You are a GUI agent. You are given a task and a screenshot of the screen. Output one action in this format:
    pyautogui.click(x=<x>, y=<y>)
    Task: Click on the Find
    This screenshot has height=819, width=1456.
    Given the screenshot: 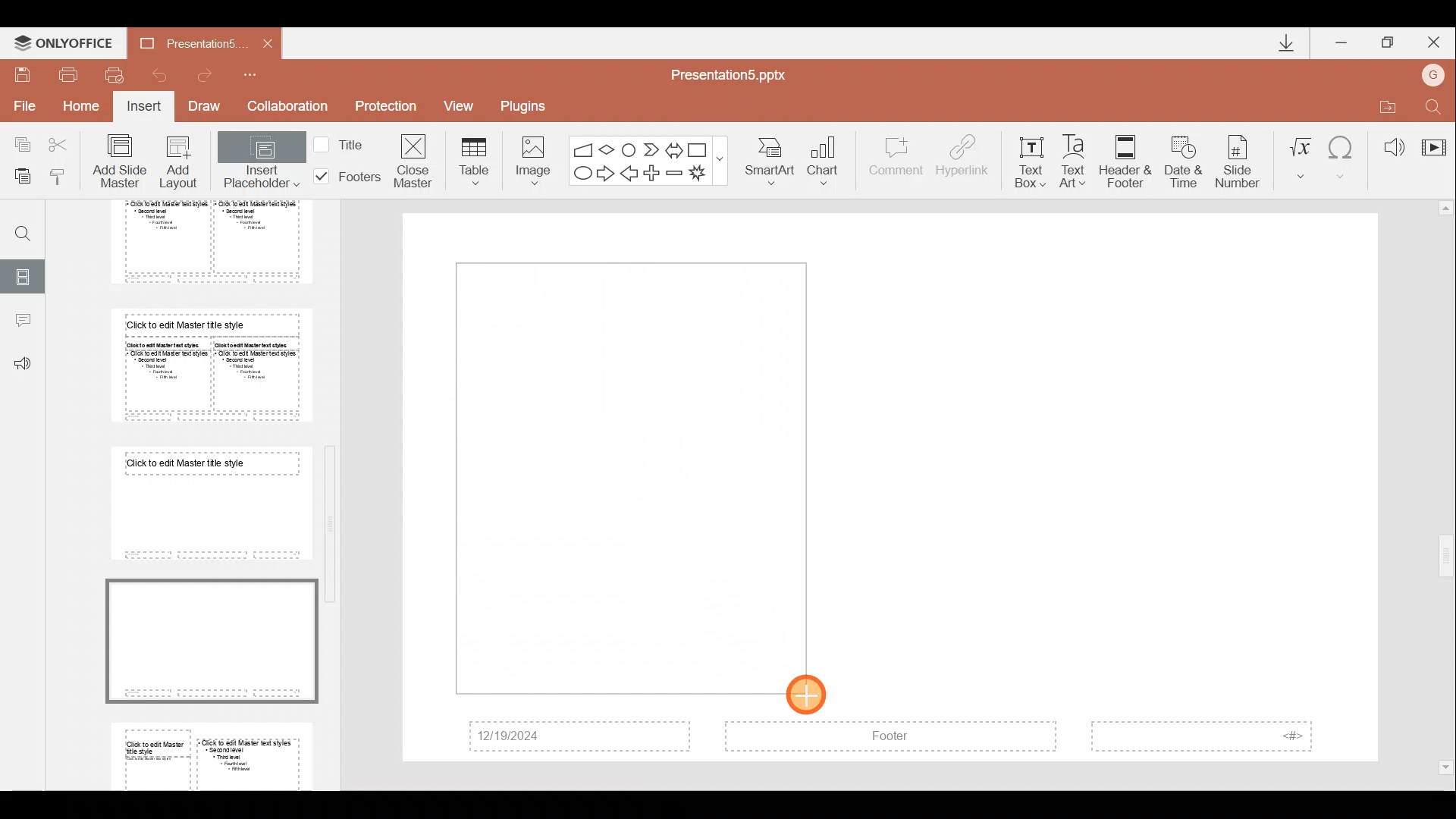 What is the action you would take?
    pyautogui.click(x=1435, y=104)
    